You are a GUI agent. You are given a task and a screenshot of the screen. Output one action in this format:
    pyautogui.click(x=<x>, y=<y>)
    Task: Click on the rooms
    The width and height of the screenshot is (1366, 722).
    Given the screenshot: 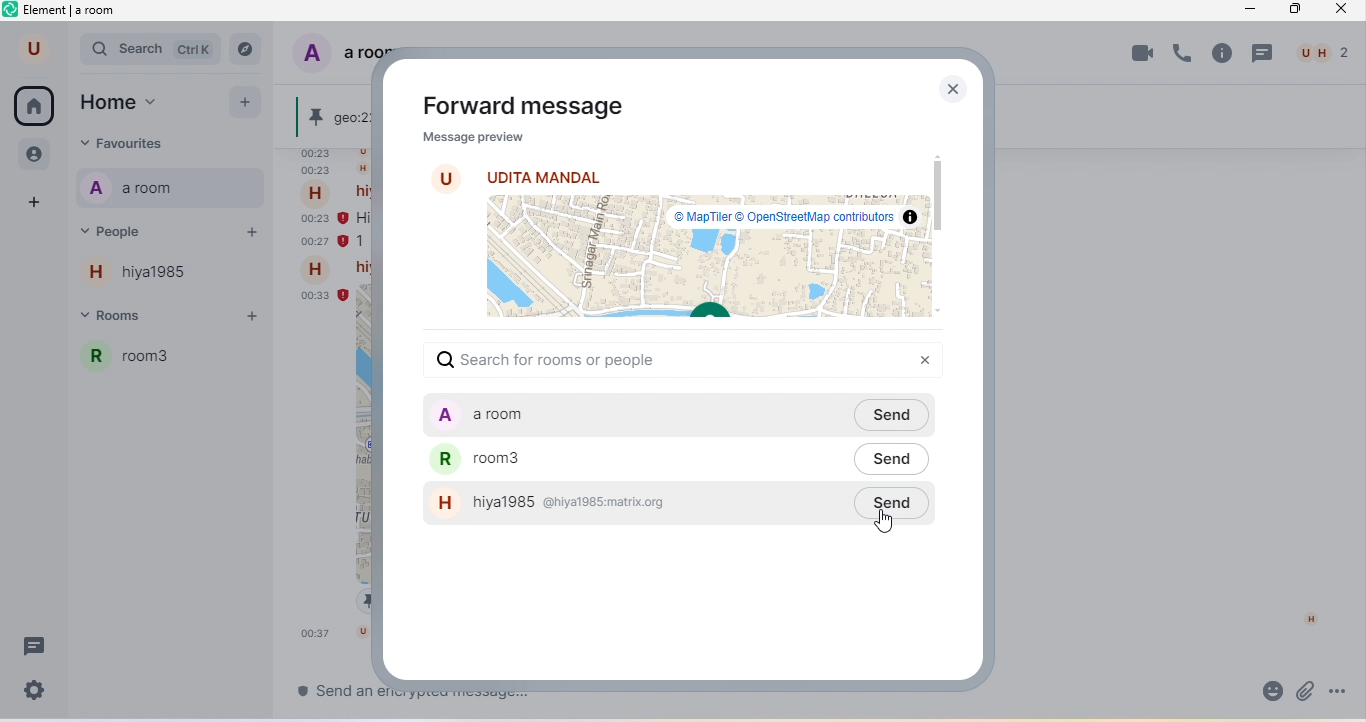 What is the action you would take?
    pyautogui.click(x=135, y=318)
    